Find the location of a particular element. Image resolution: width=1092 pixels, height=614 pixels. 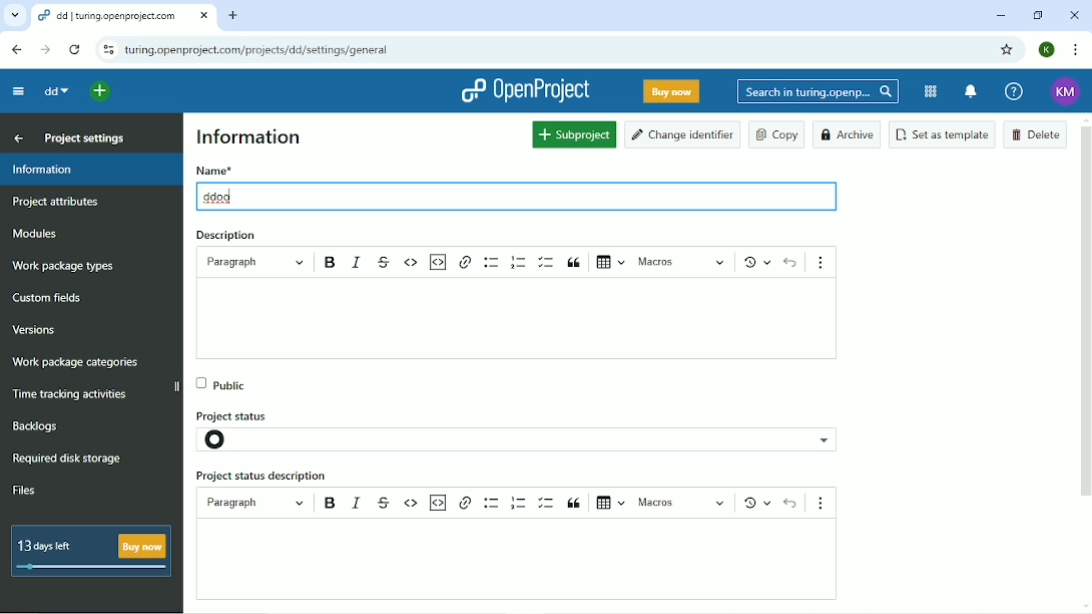

Archive is located at coordinates (848, 135).